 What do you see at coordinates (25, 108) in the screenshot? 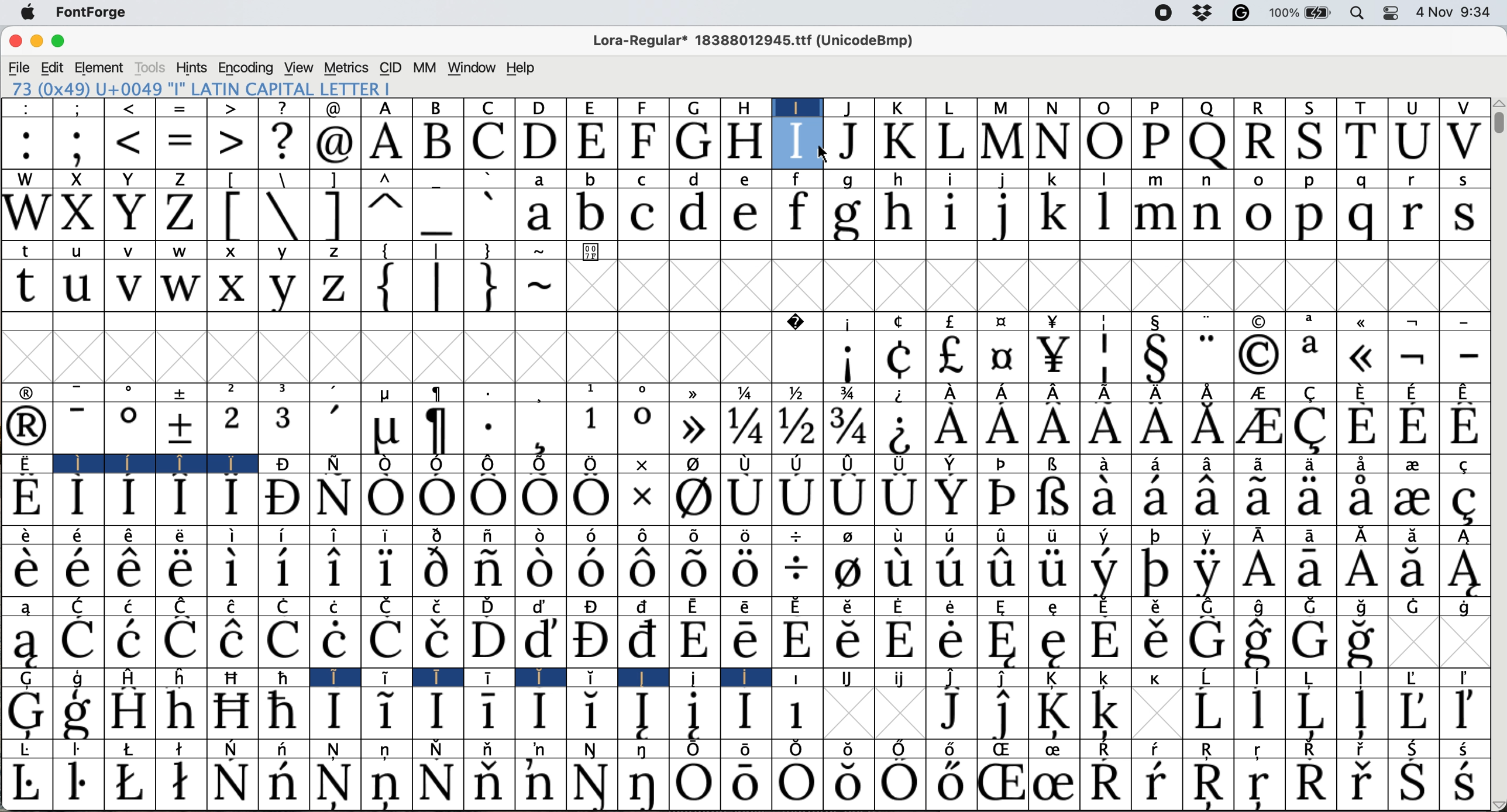
I see `:` at bounding box center [25, 108].